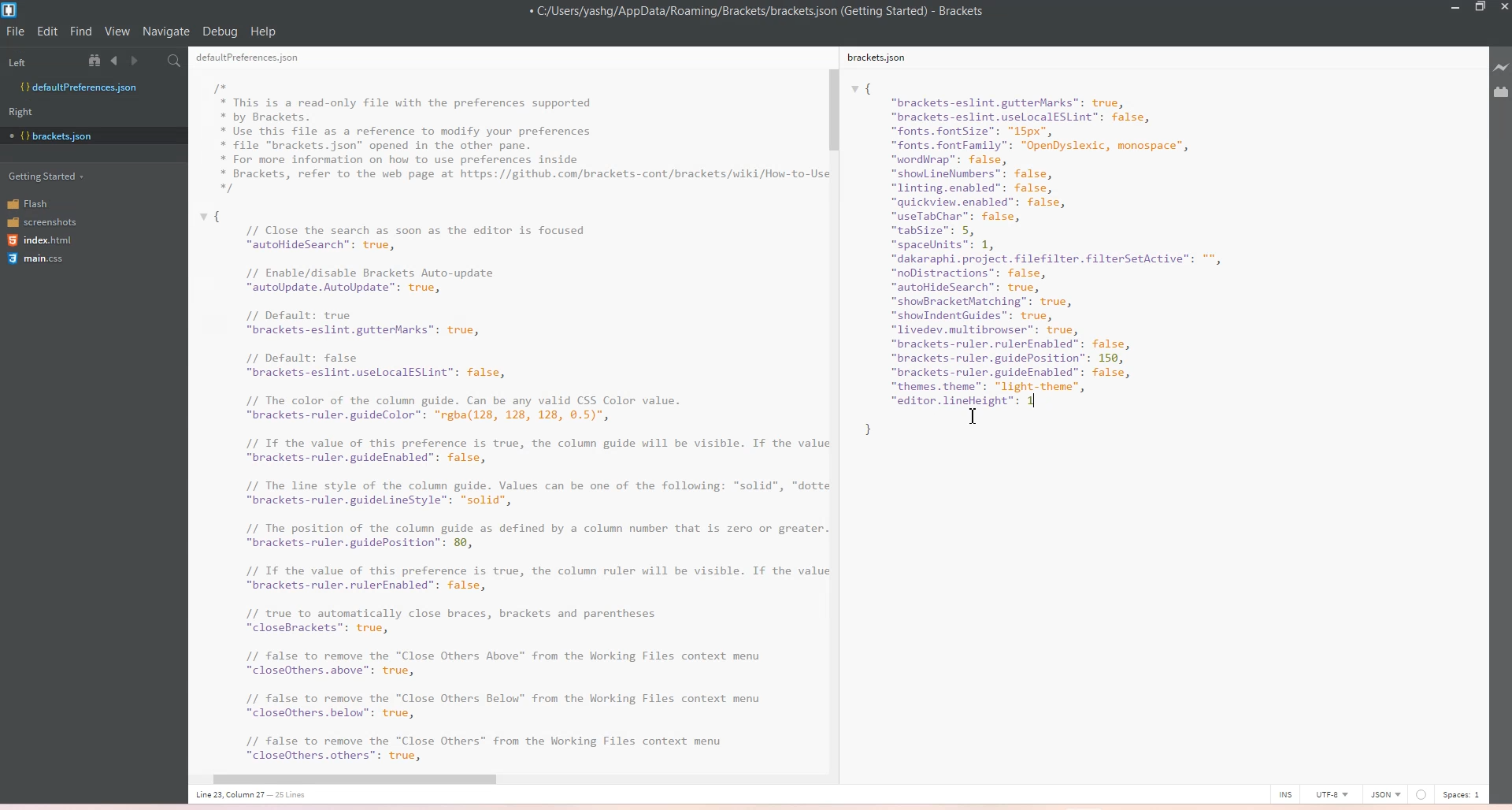 This screenshot has width=1512, height=810. I want to click on Horizontal scroll bar, so click(499, 780).